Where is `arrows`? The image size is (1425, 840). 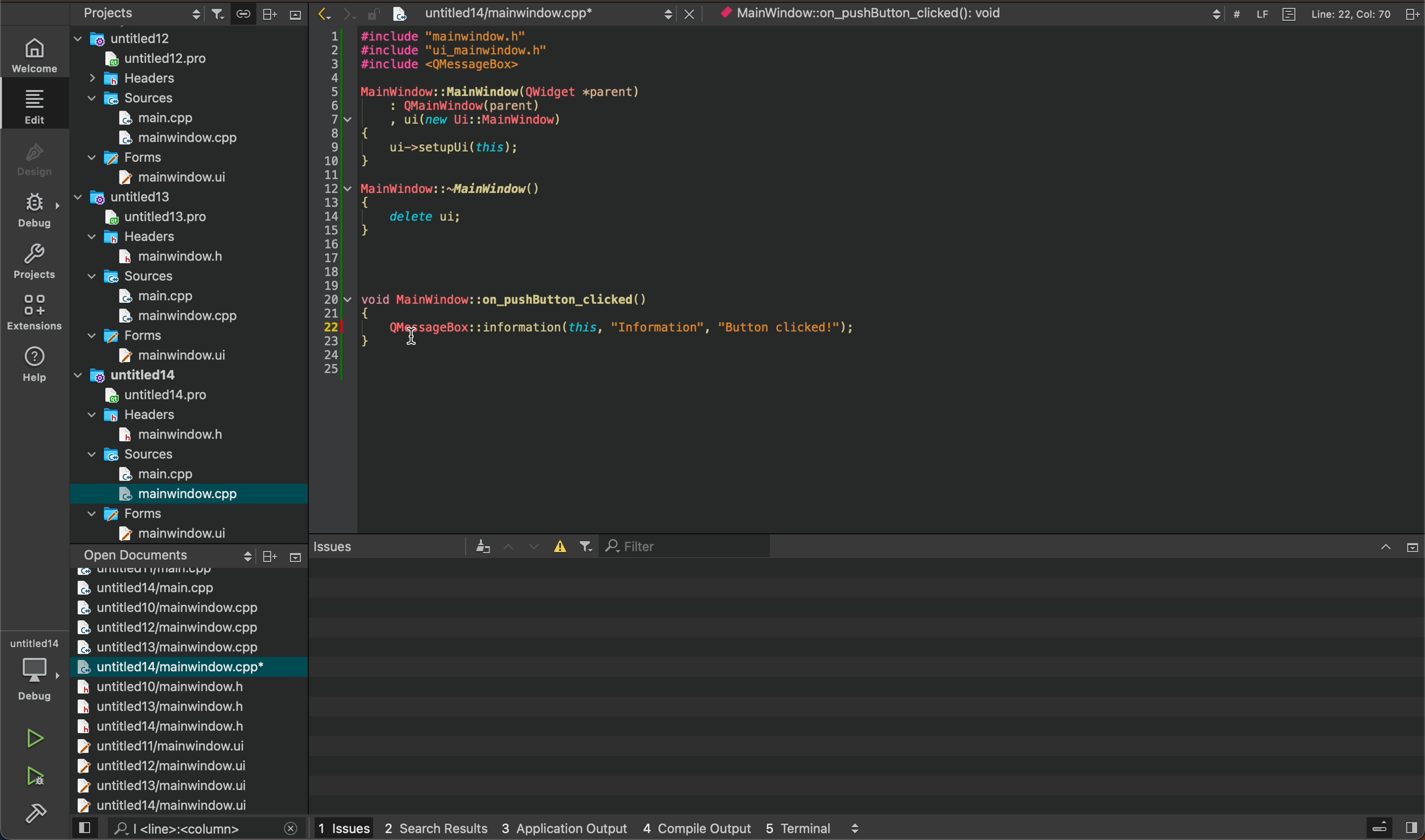 arrows is located at coordinates (523, 546).